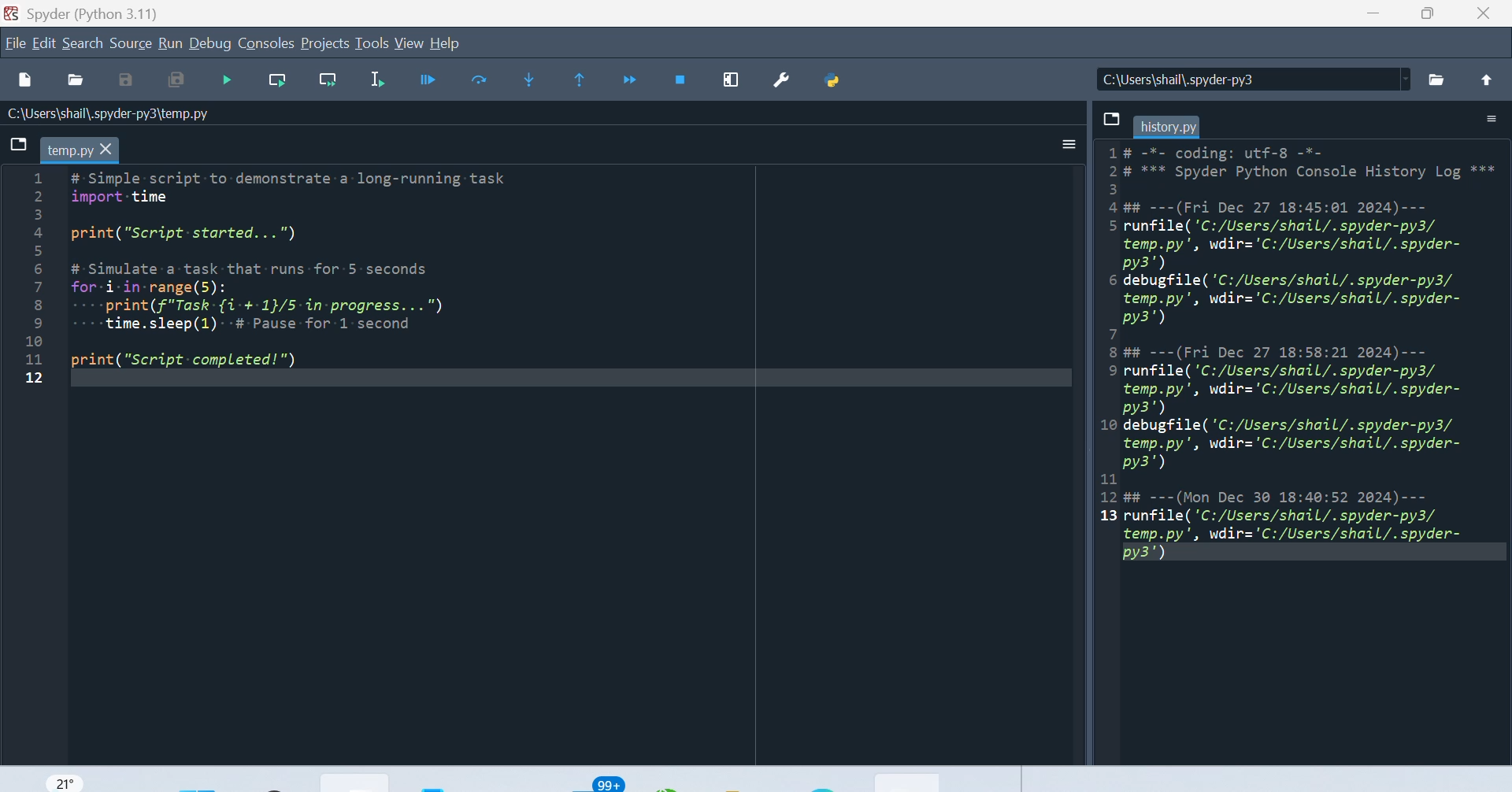 The image size is (1512, 792). I want to click on Run selection, so click(379, 86).